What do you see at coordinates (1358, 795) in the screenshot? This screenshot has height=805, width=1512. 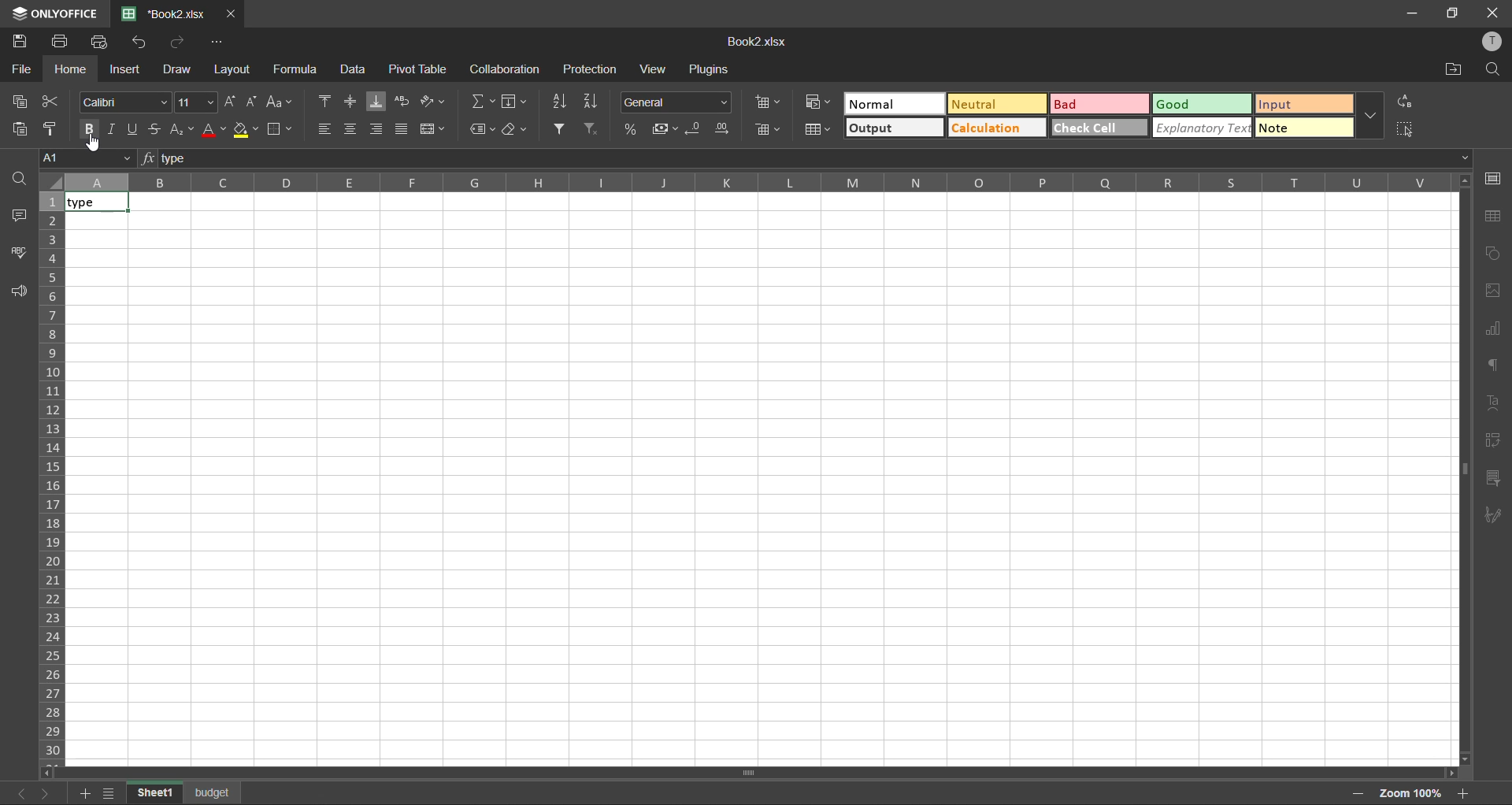 I see `zoom out` at bounding box center [1358, 795].